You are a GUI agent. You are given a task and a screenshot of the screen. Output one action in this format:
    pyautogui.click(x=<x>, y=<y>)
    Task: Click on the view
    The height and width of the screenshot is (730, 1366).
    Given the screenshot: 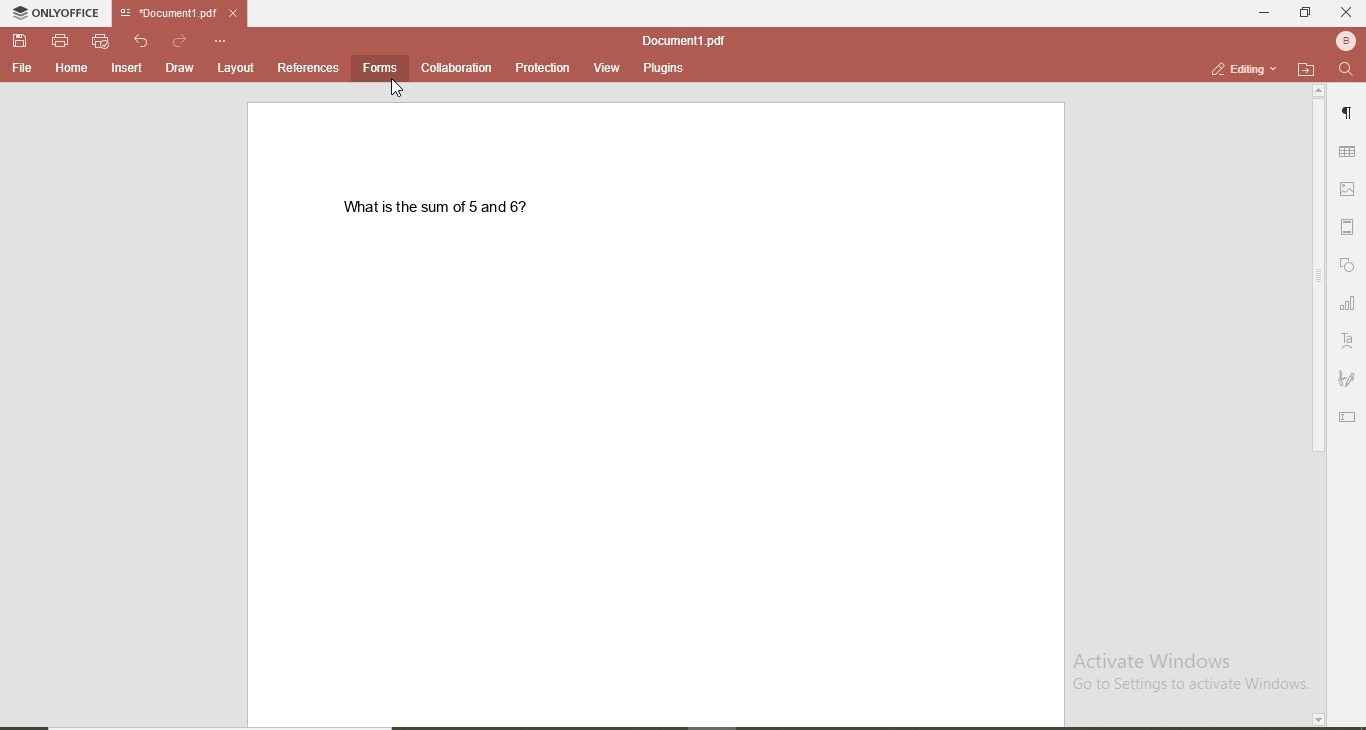 What is the action you would take?
    pyautogui.click(x=608, y=67)
    